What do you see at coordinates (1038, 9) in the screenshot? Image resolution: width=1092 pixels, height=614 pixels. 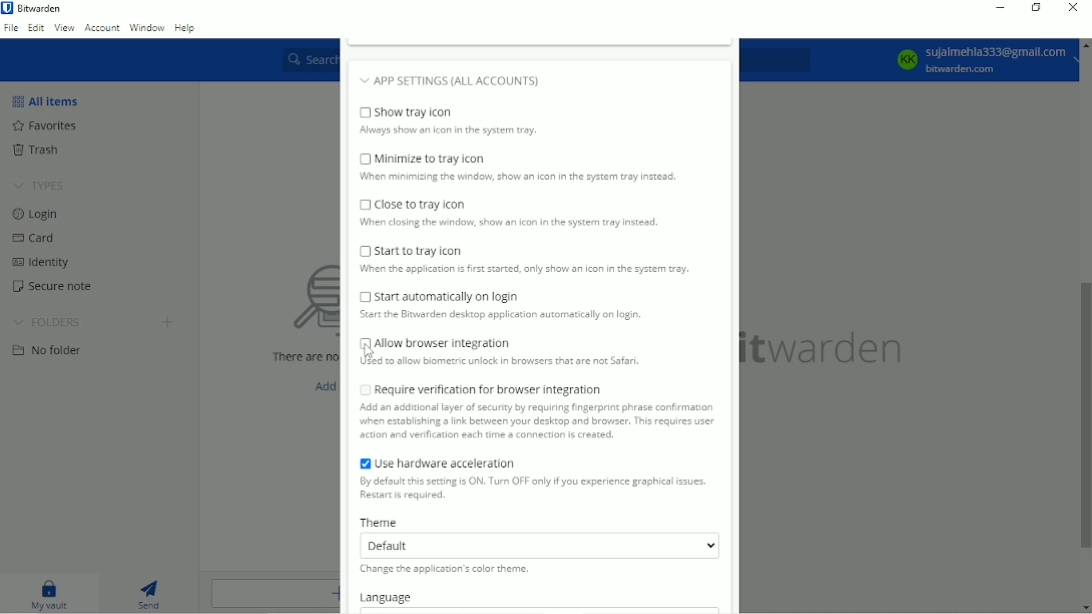 I see `Restore down` at bounding box center [1038, 9].